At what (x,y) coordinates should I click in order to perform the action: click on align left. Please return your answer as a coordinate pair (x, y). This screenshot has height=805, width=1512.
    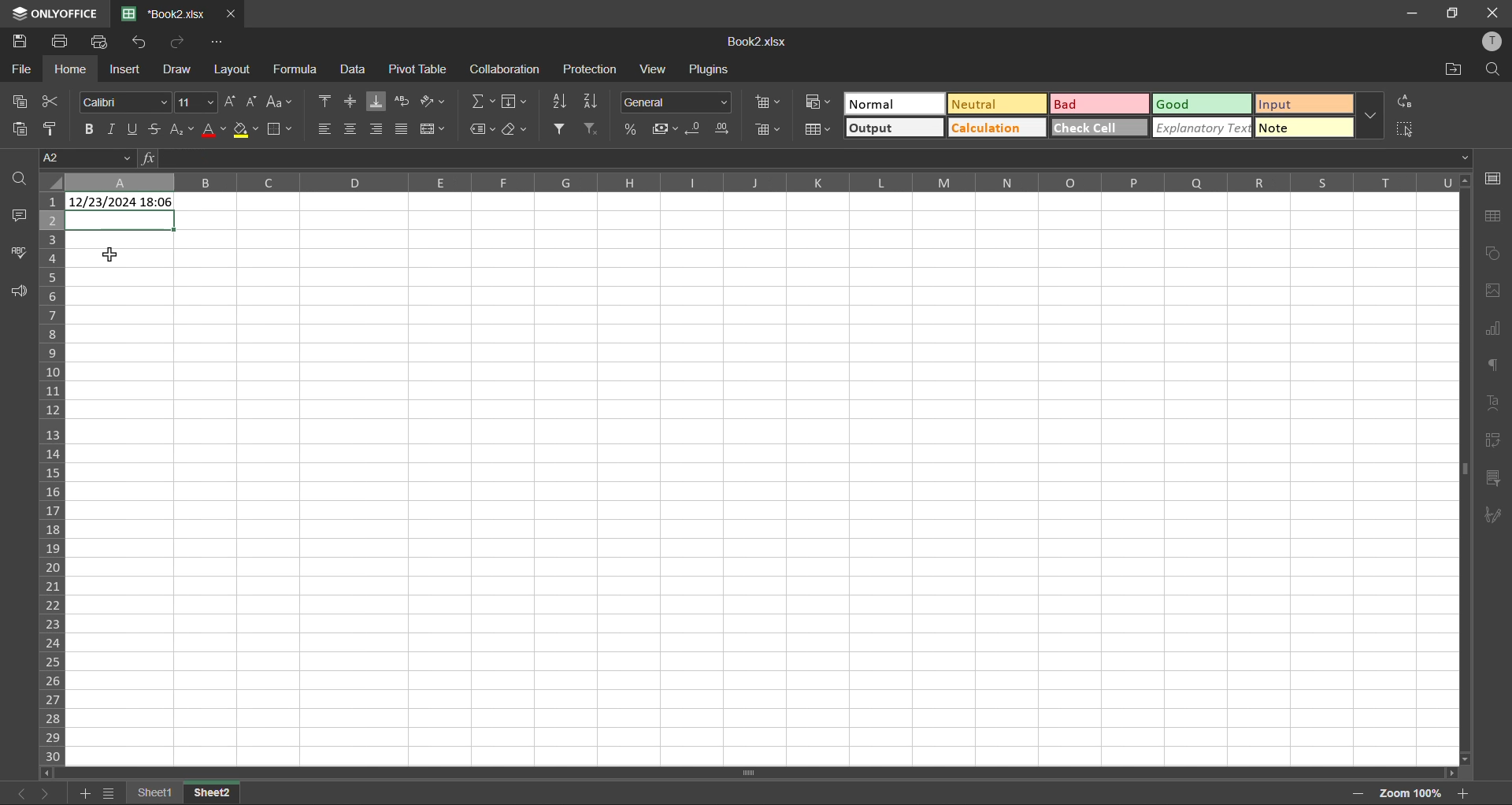
    Looking at the image, I should click on (325, 129).